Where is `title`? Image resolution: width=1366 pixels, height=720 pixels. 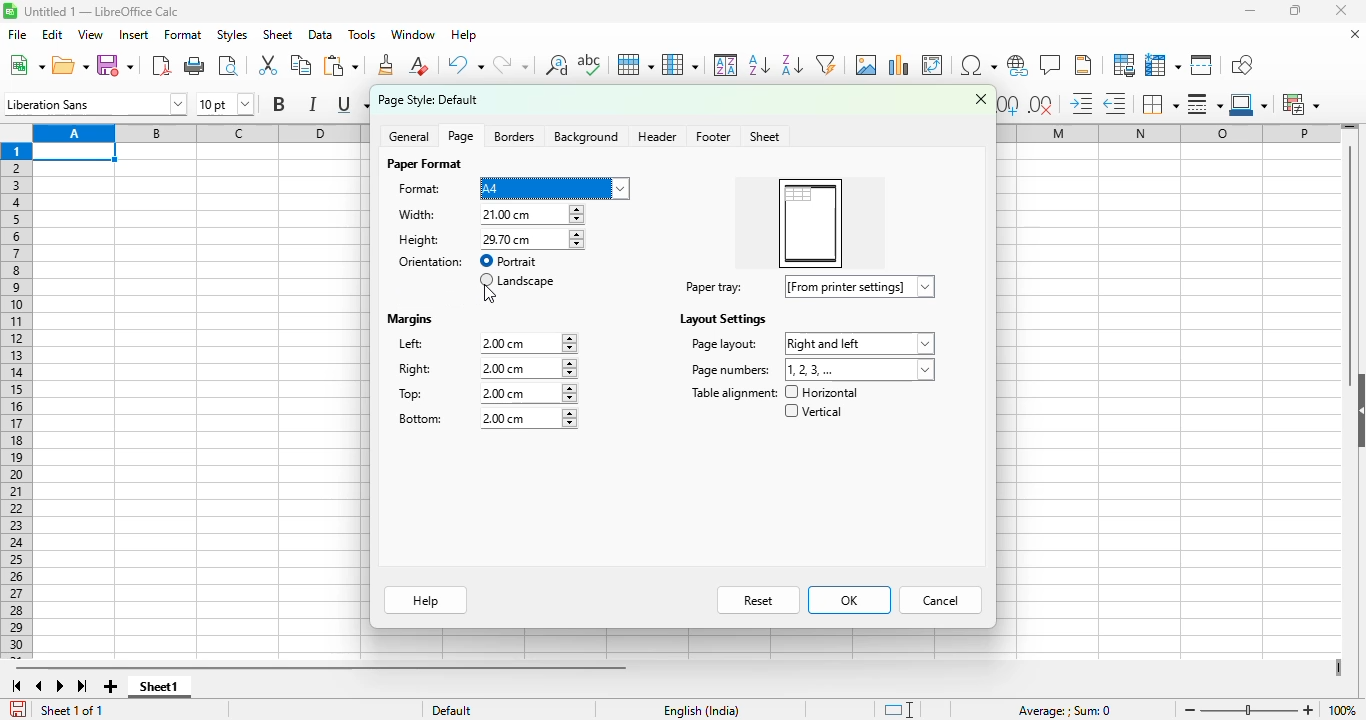
title is located at coordinates (102, 11).